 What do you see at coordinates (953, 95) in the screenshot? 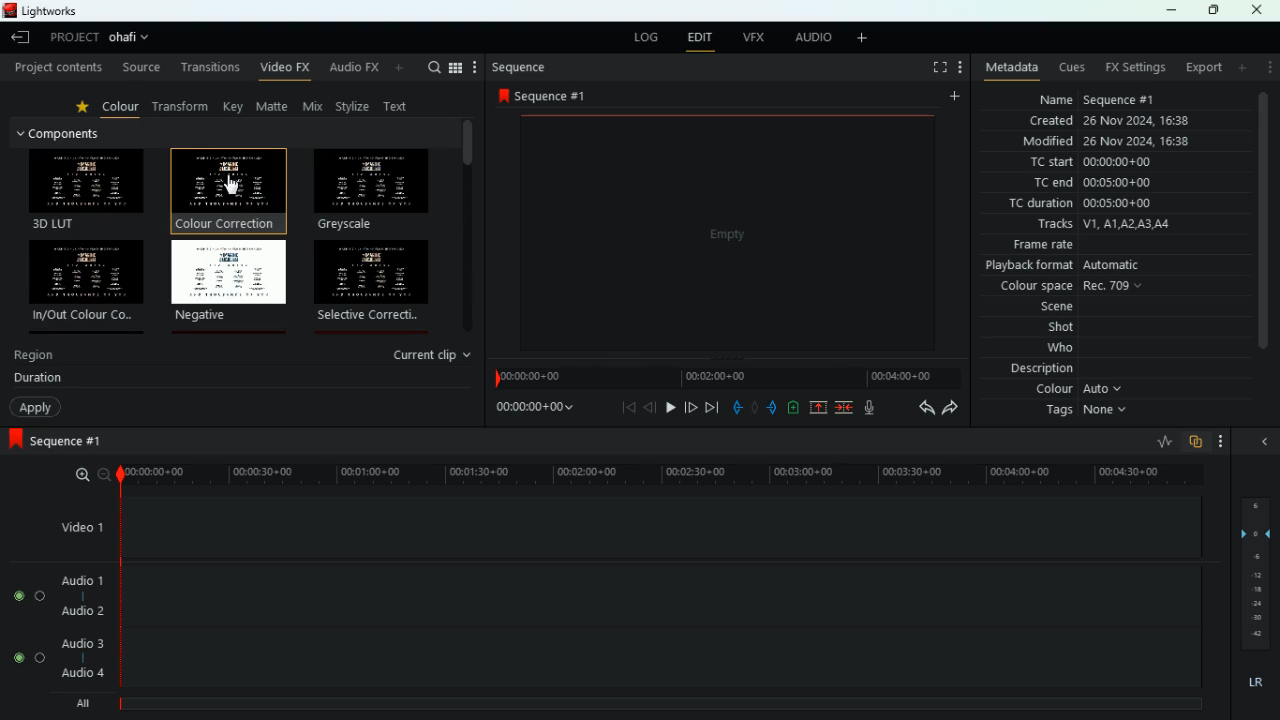
I see `more` at bounding box center [953, 95].